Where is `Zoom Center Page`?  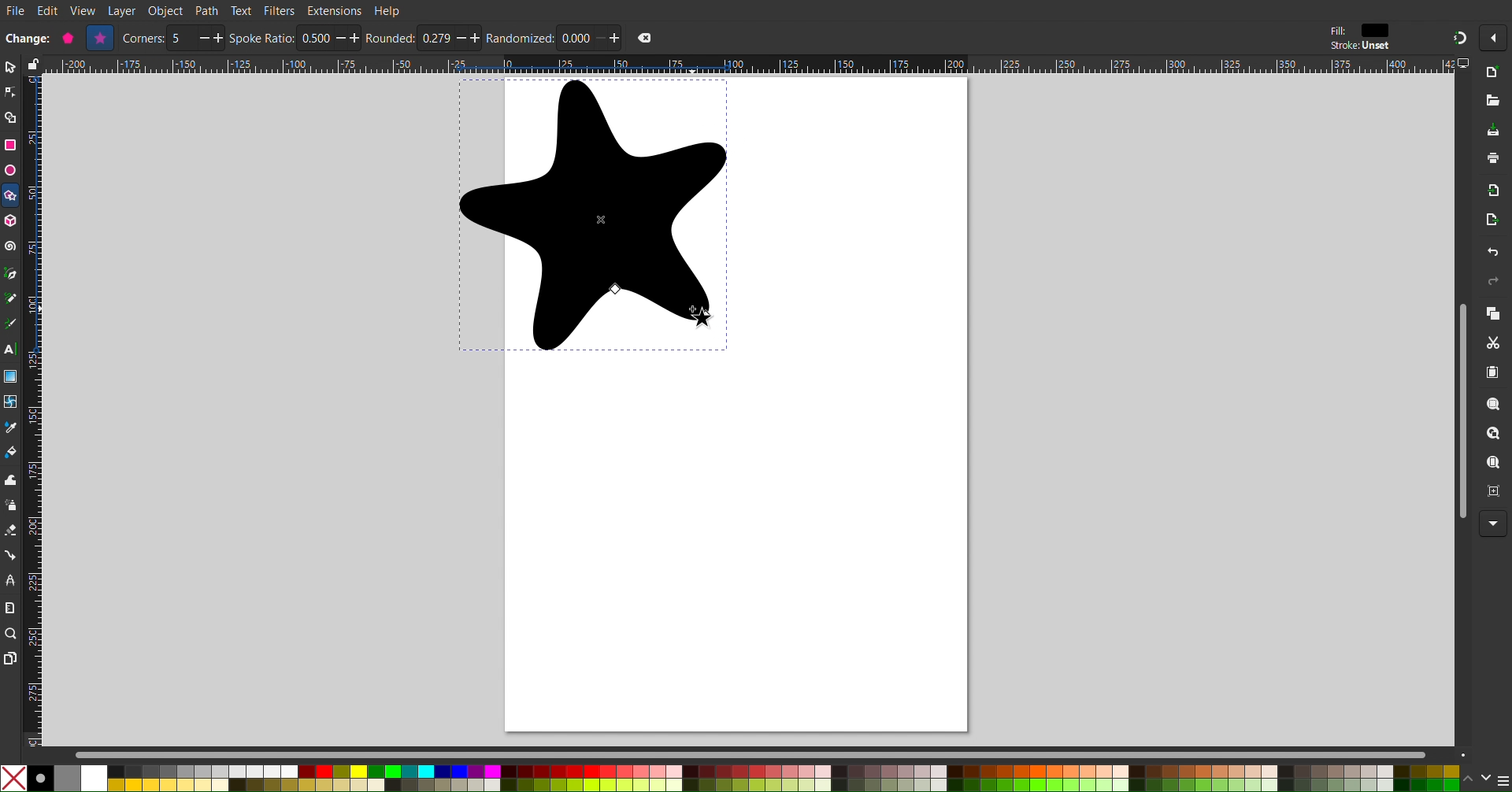 Zoom Center Page is located at coordinates (1495, 495).